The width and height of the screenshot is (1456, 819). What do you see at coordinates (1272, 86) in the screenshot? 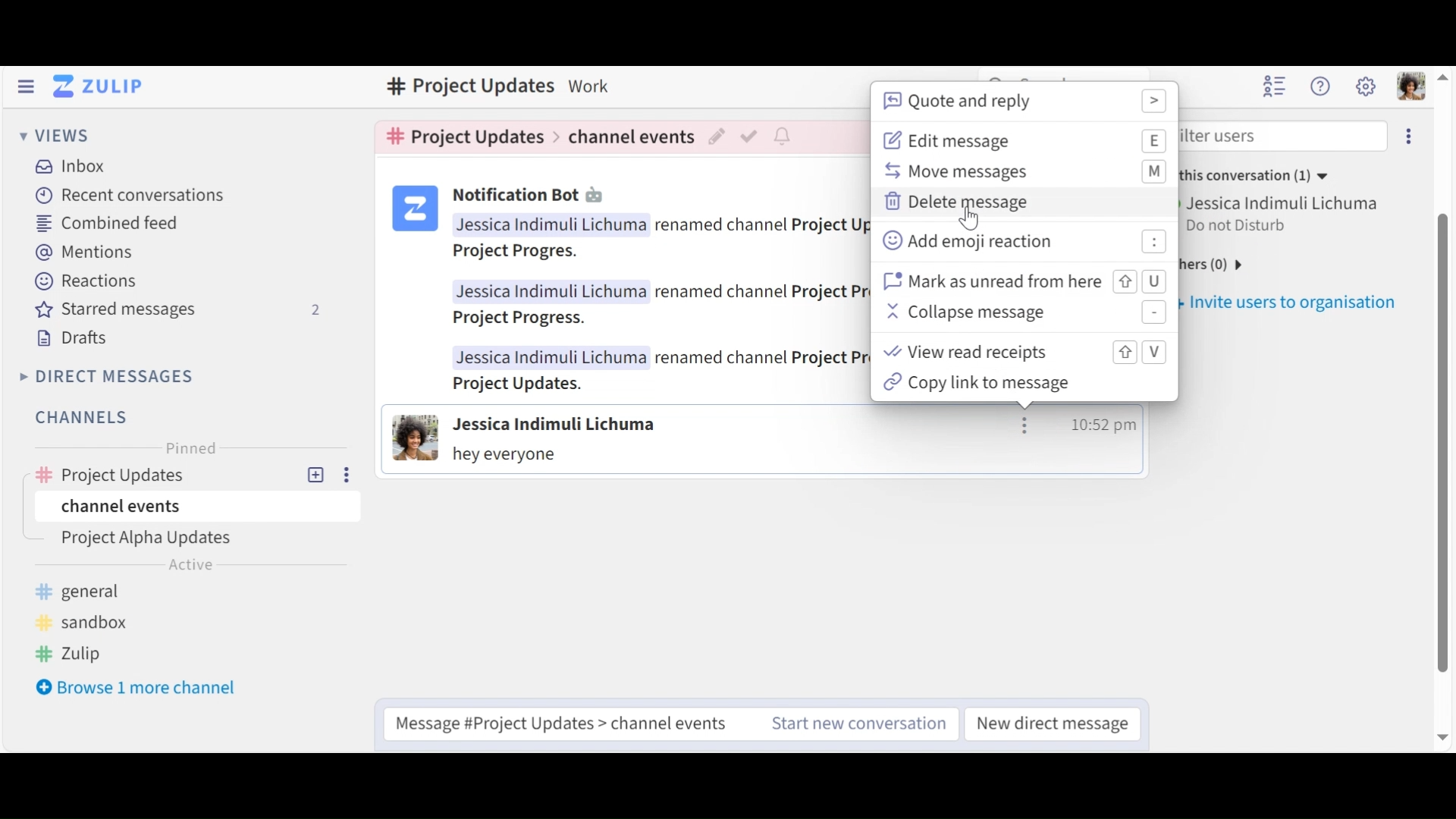
I see `Hide user list` at bounding box center [1272, 86].